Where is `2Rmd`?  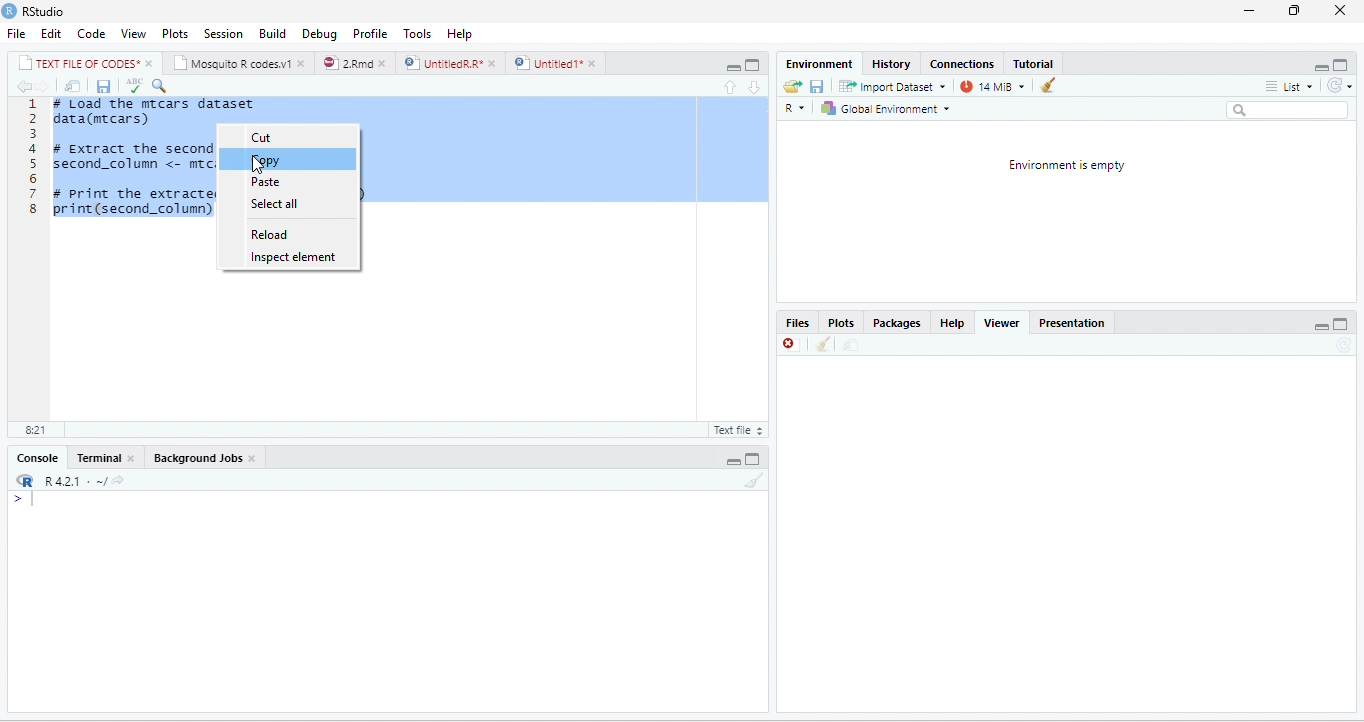
2Rmd is located at coordinates (346, 63).